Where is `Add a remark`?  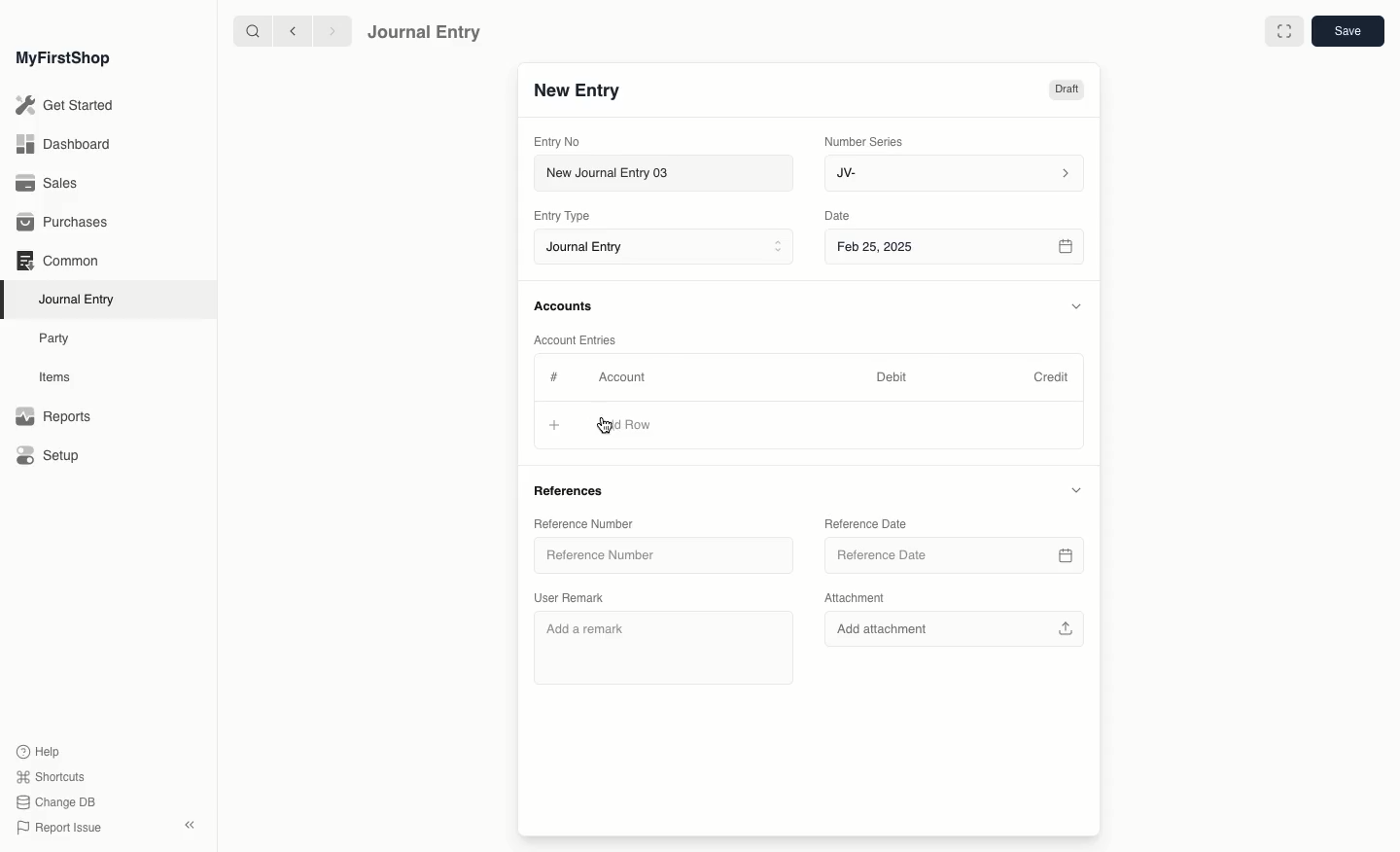
Add a remark is located at coordinates (661, 648).